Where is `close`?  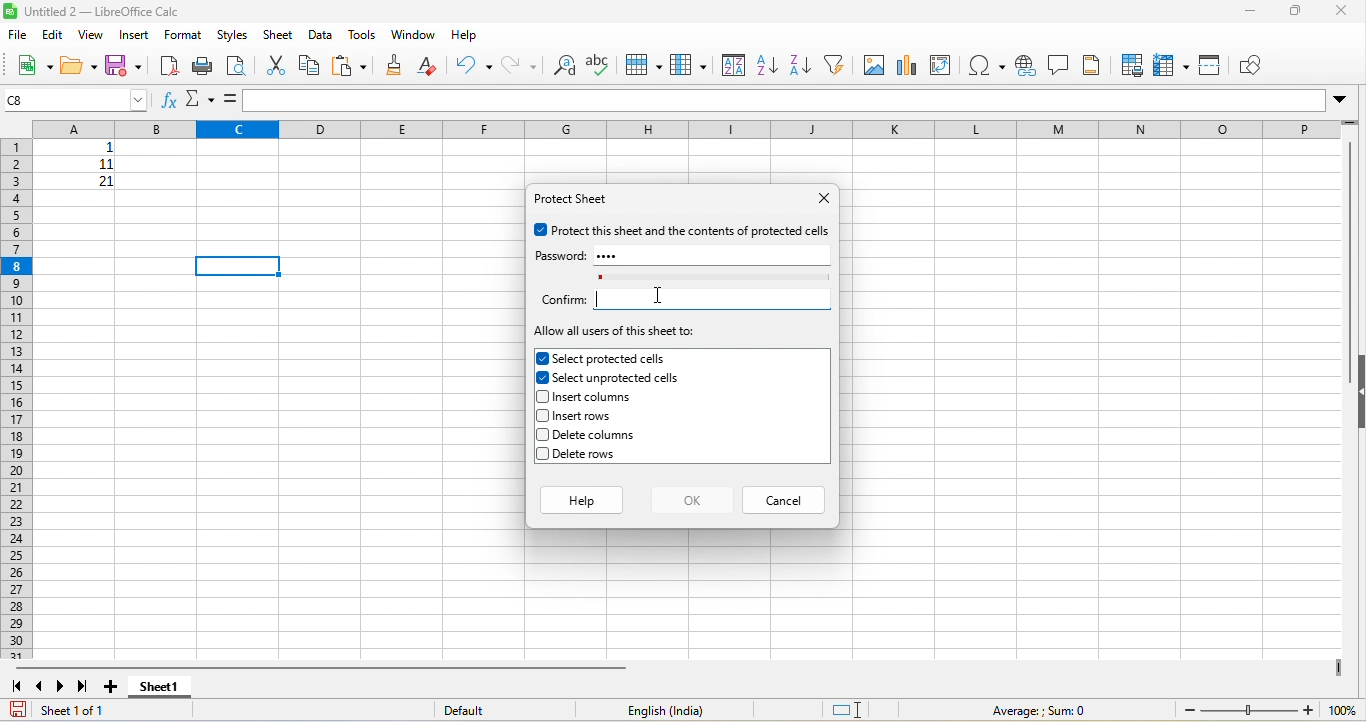
close is located at coordinates (815, 199).